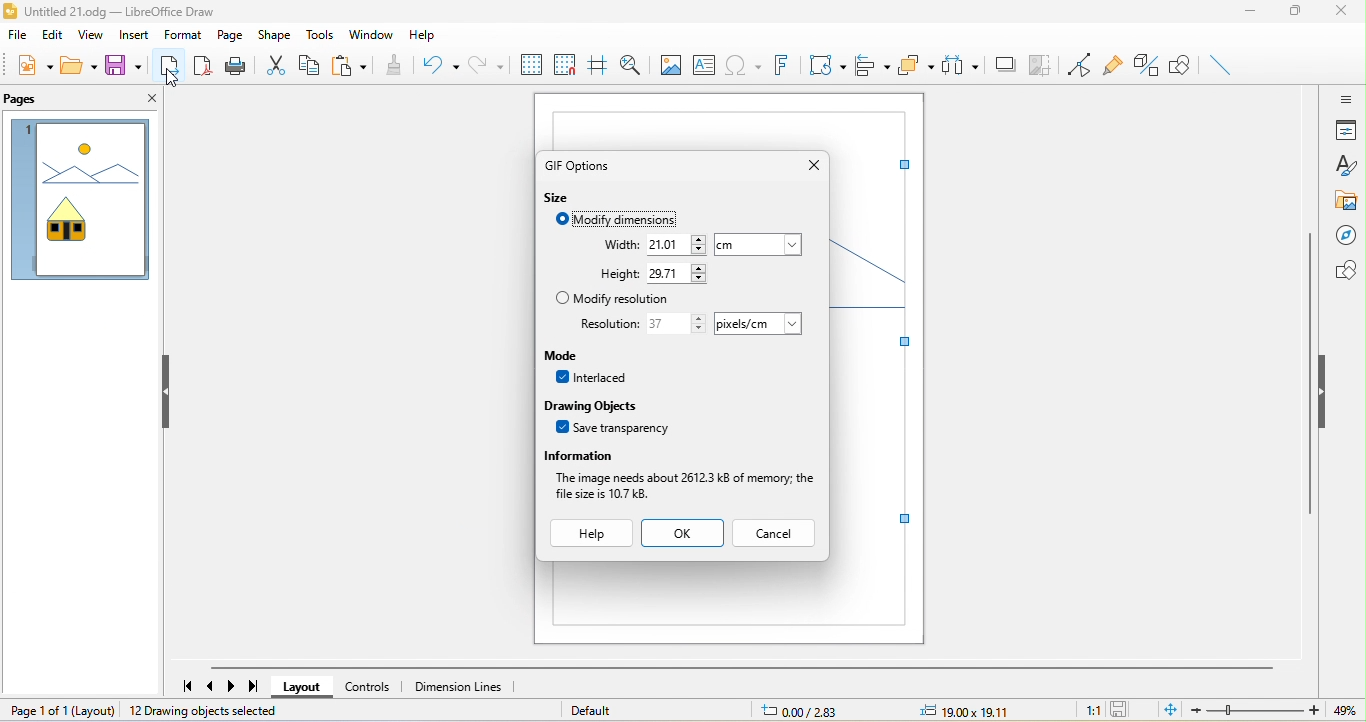 This screenshot has height=722, width=1366. Describe the element at coordinates (677, 246) in the screenshot. I see `21.01` at that location.